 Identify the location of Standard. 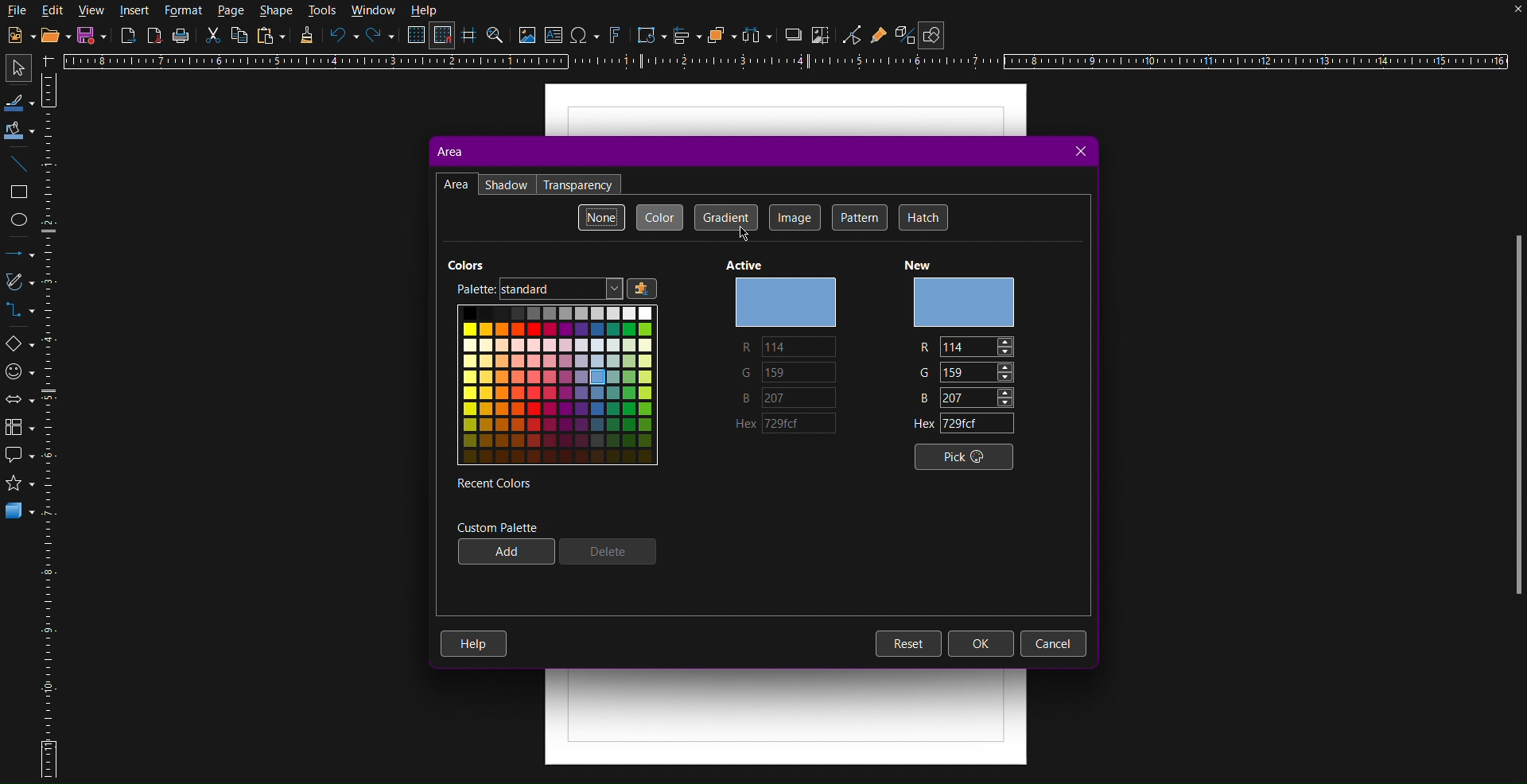
(577, 289).